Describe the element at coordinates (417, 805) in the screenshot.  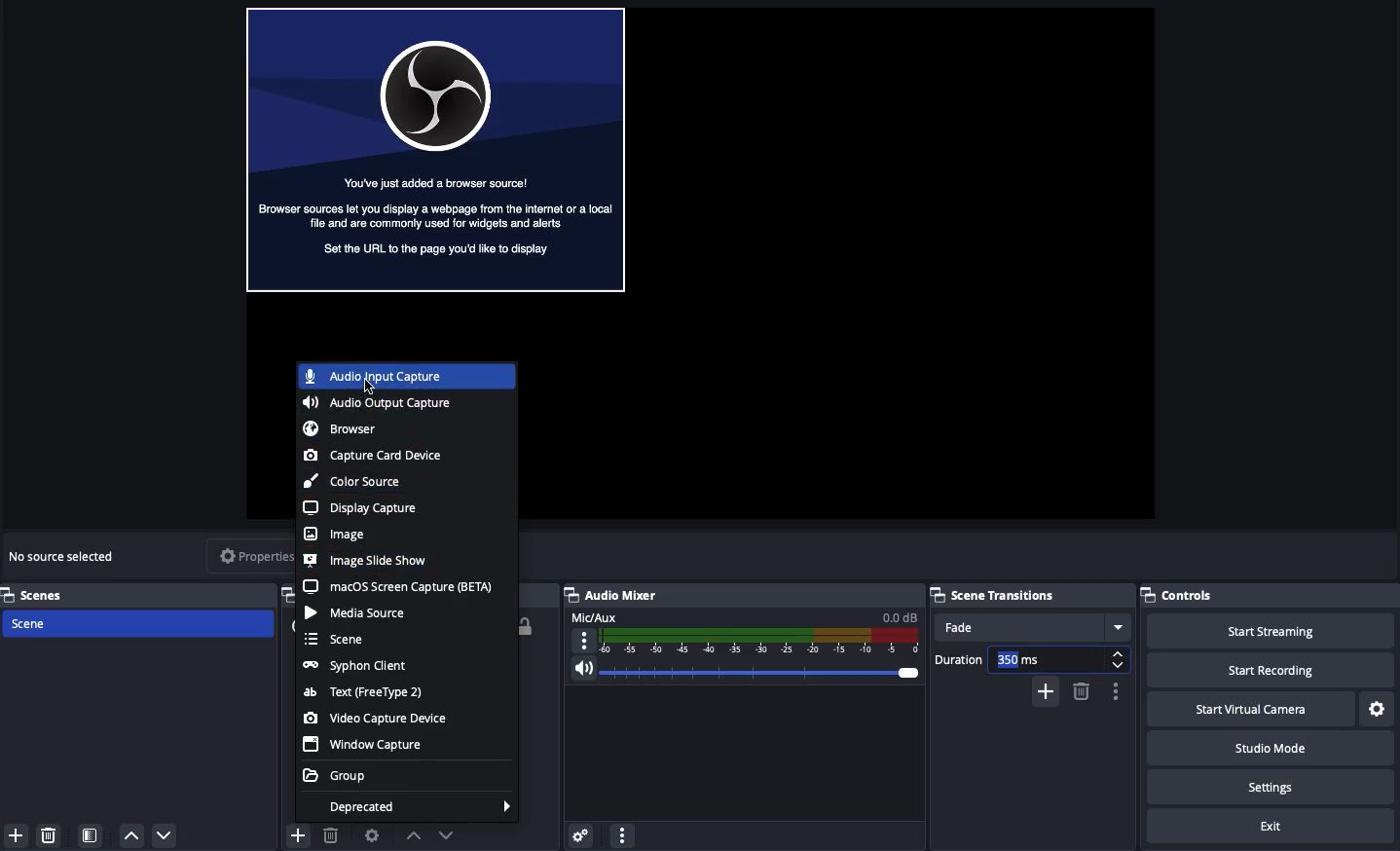
I see `Deprecated` at that location.